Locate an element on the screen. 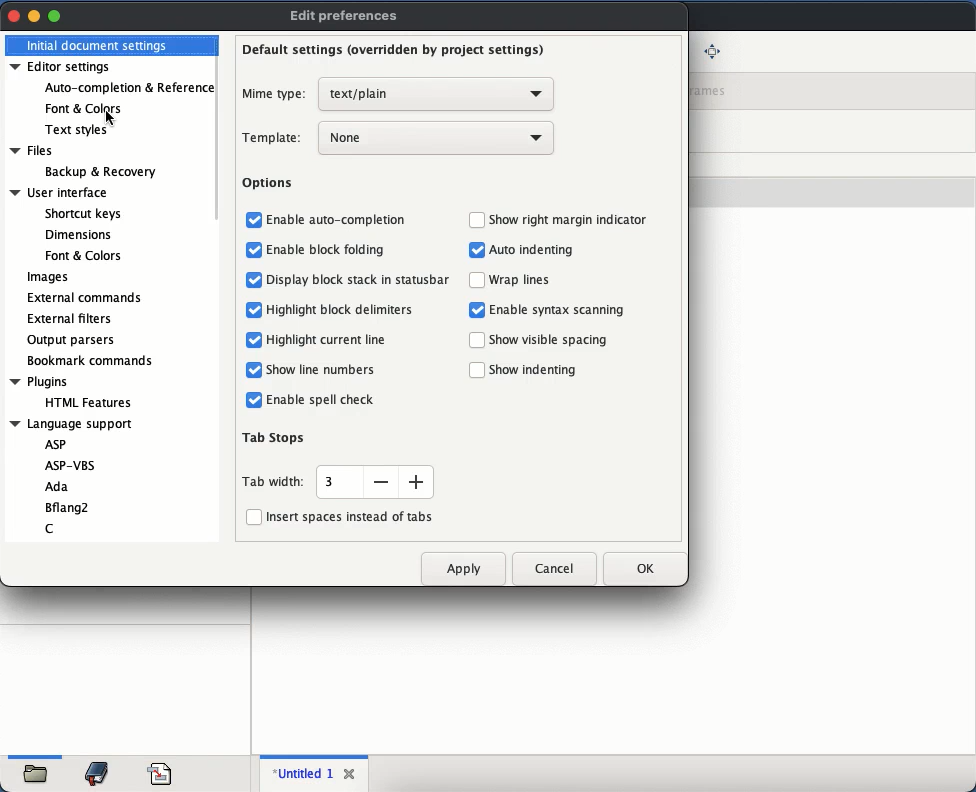  initial document settings is located at coordinates (98, 45).